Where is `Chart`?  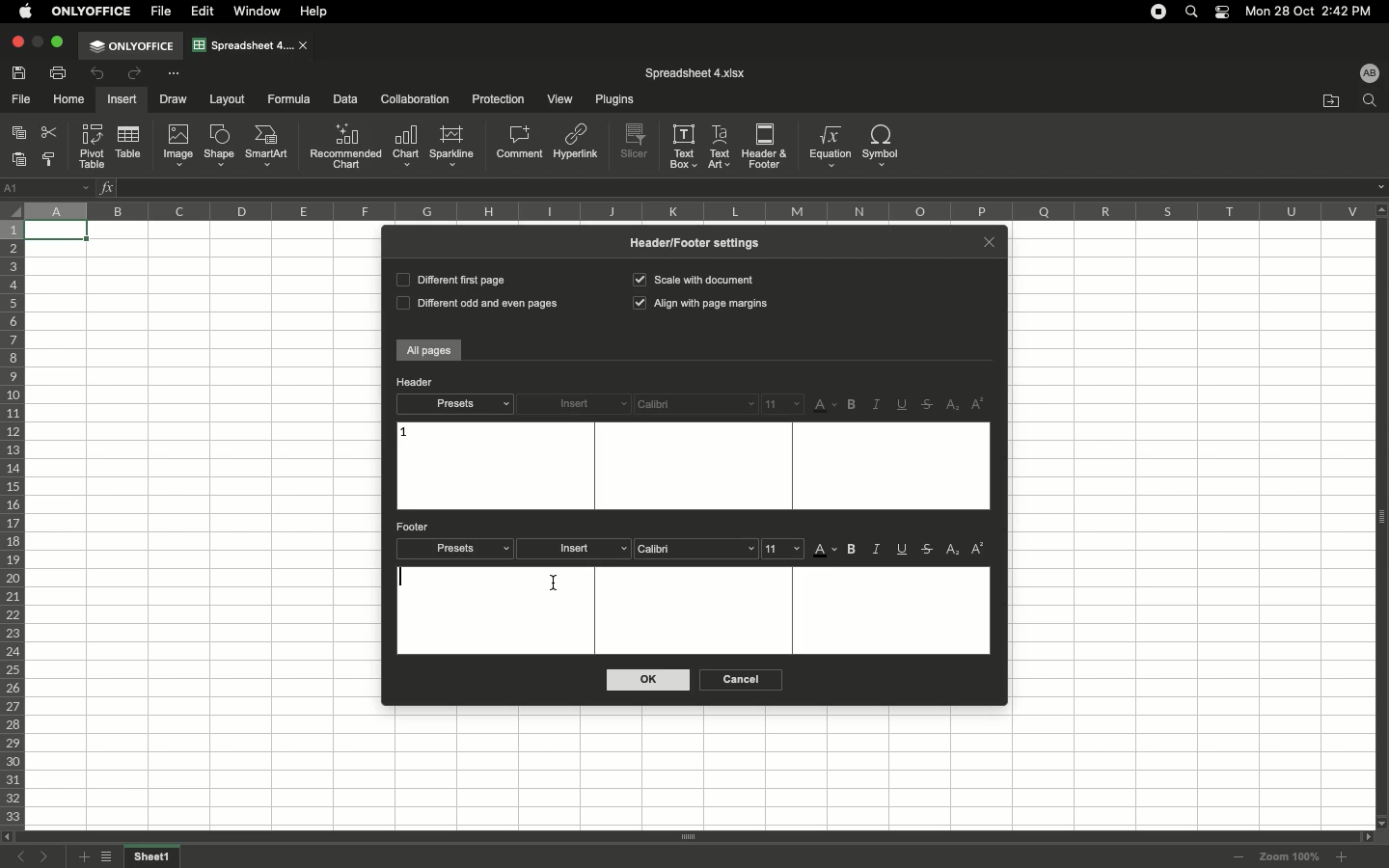
Chart is located at coordinates (406, 147).